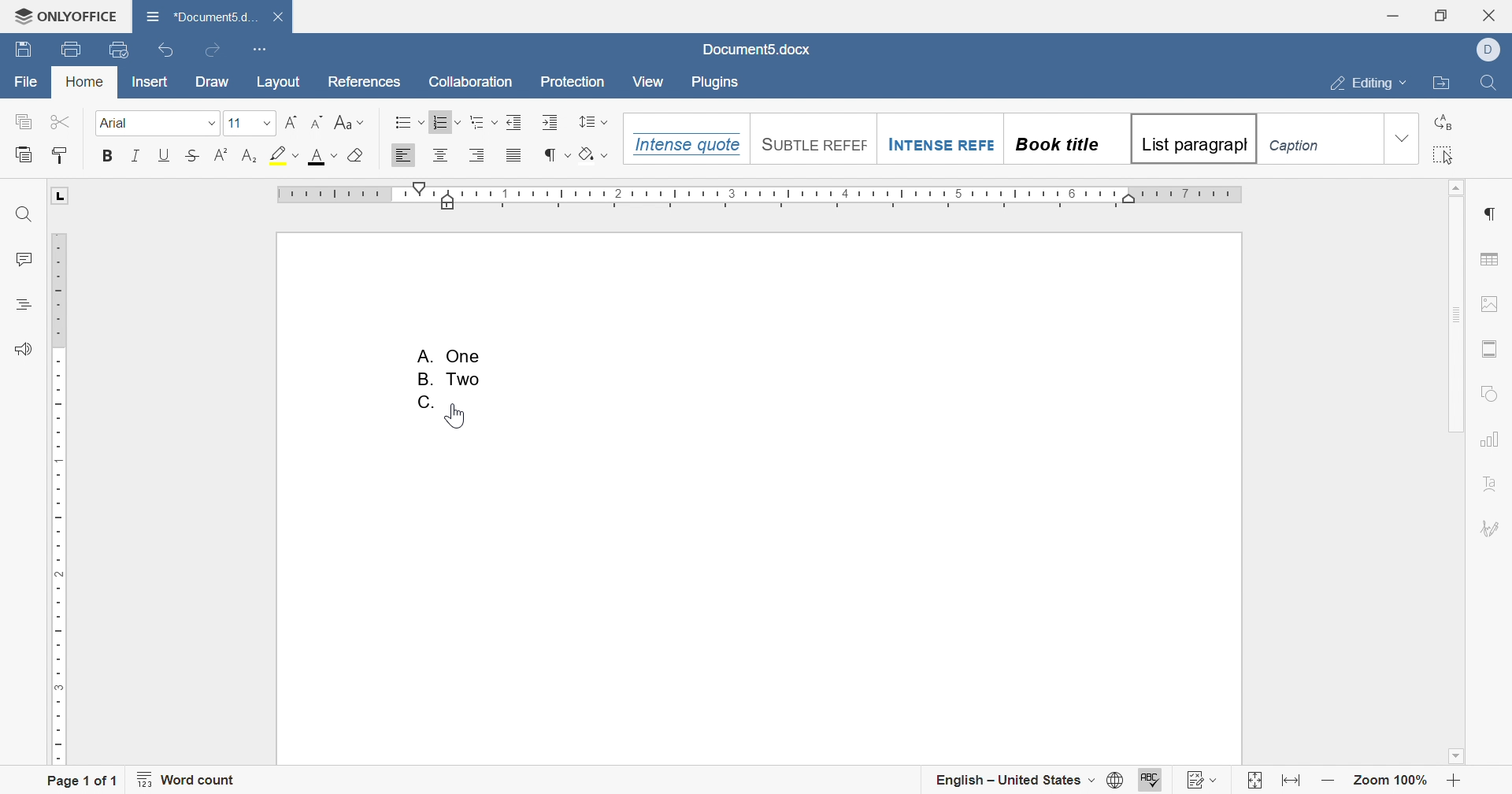  I want to click on Copy style, so click(61, 154).